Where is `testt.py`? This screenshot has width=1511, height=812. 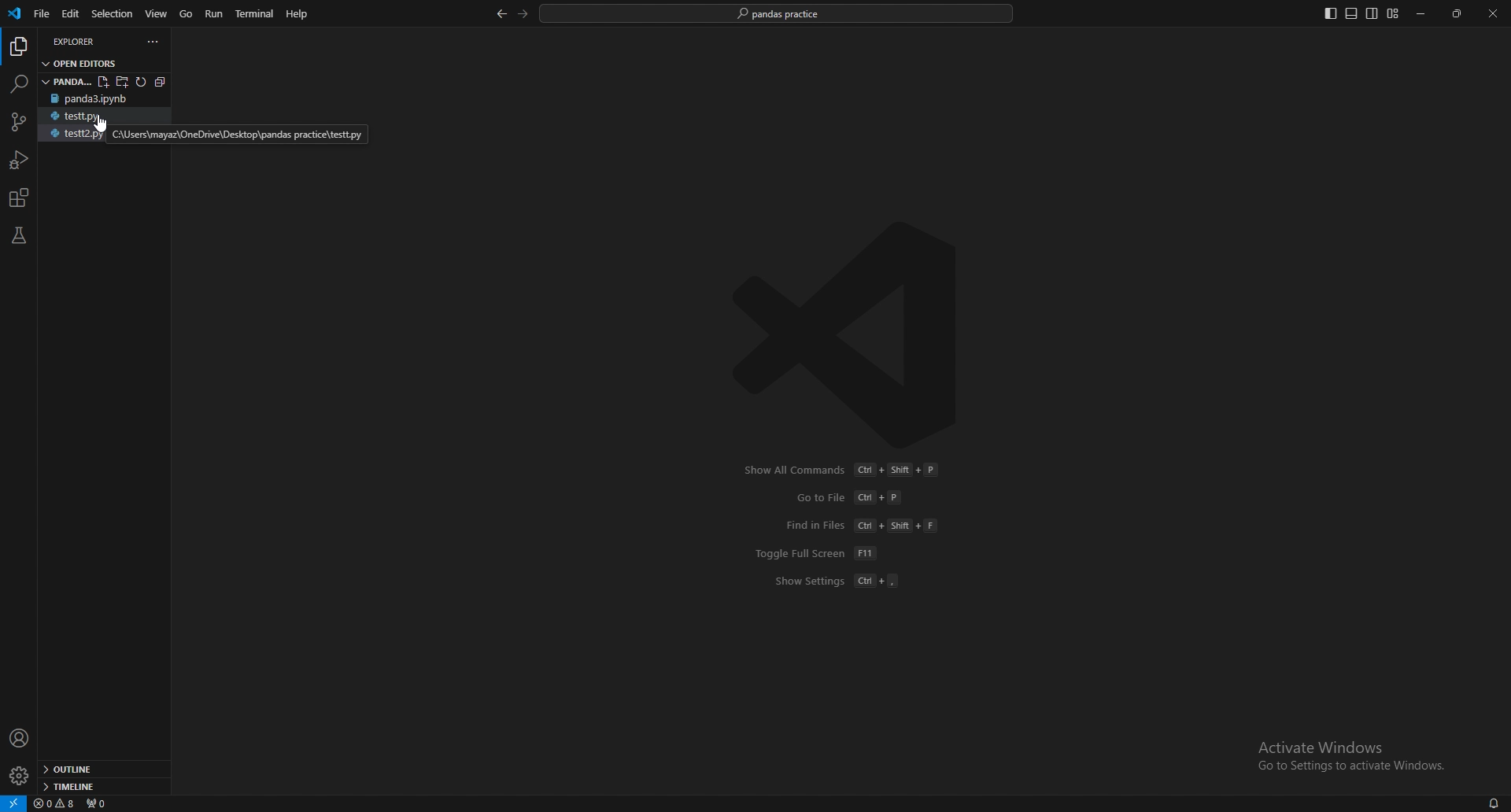
testt.py is located at coordinates (103, 116).